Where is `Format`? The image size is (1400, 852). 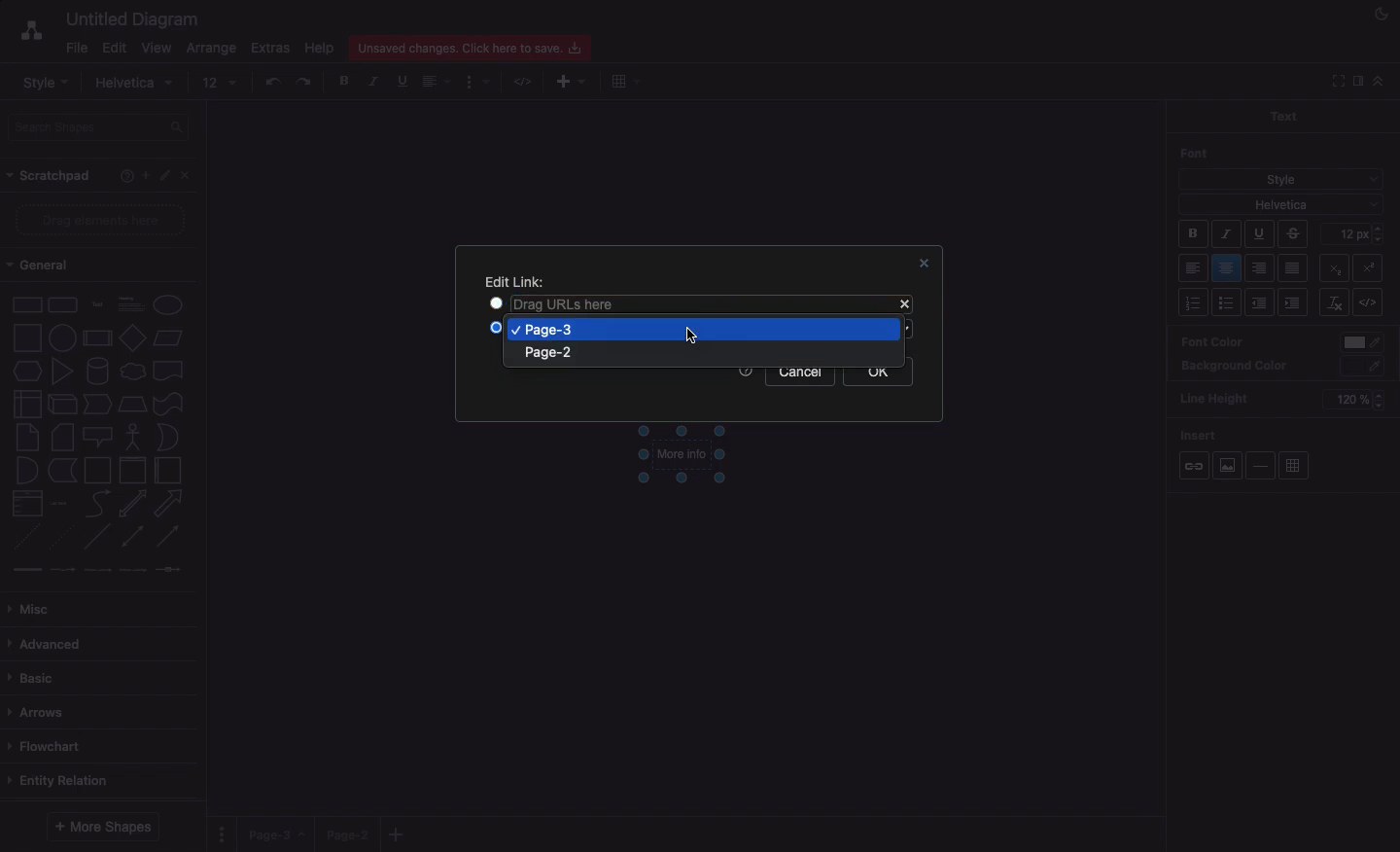
Format is located at coordinates (477, 83).